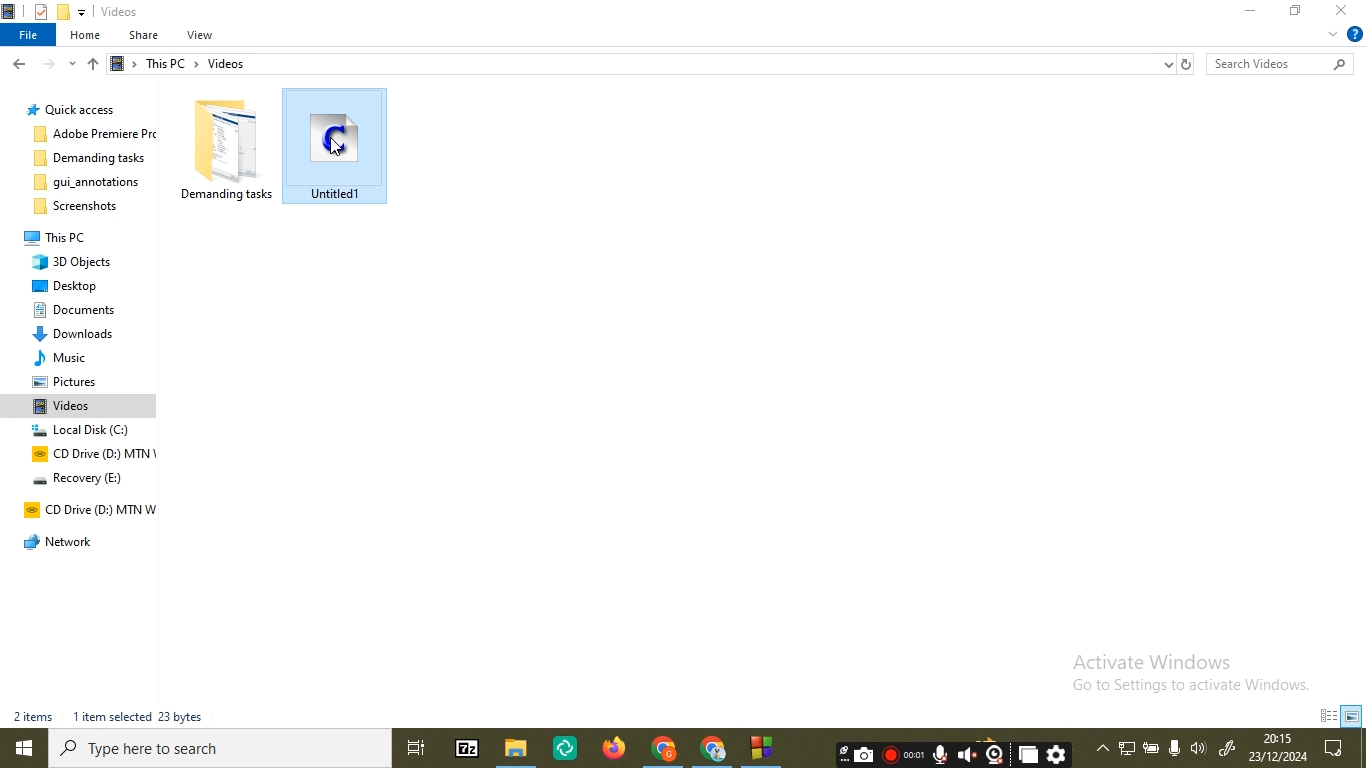 The image size is (1366, 768). What do you see at coordinates (87, 543) in the screenshot?
I see `folder` at bounding box center [87, 543].